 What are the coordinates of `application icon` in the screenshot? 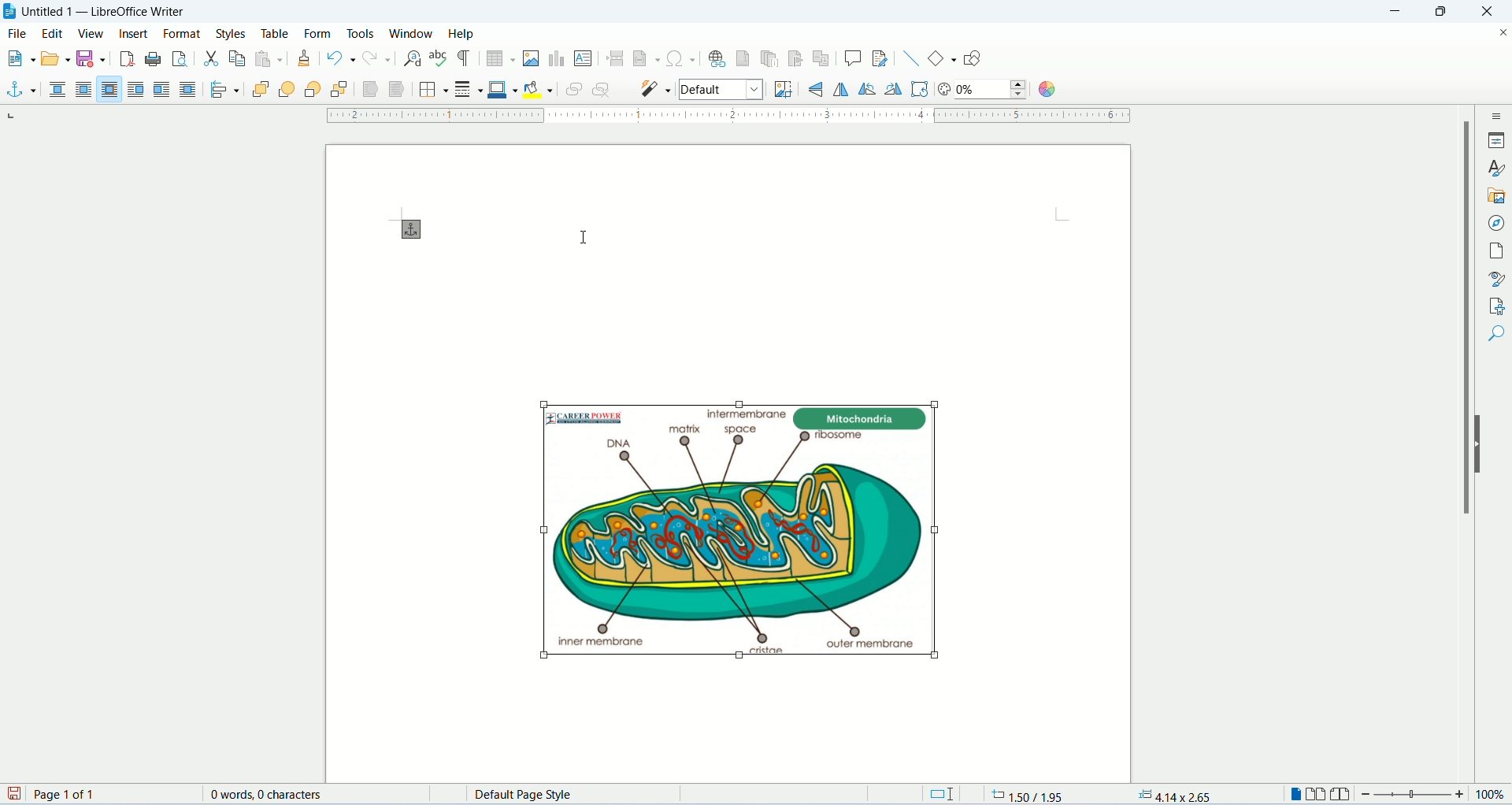 It's located at (10, 10).